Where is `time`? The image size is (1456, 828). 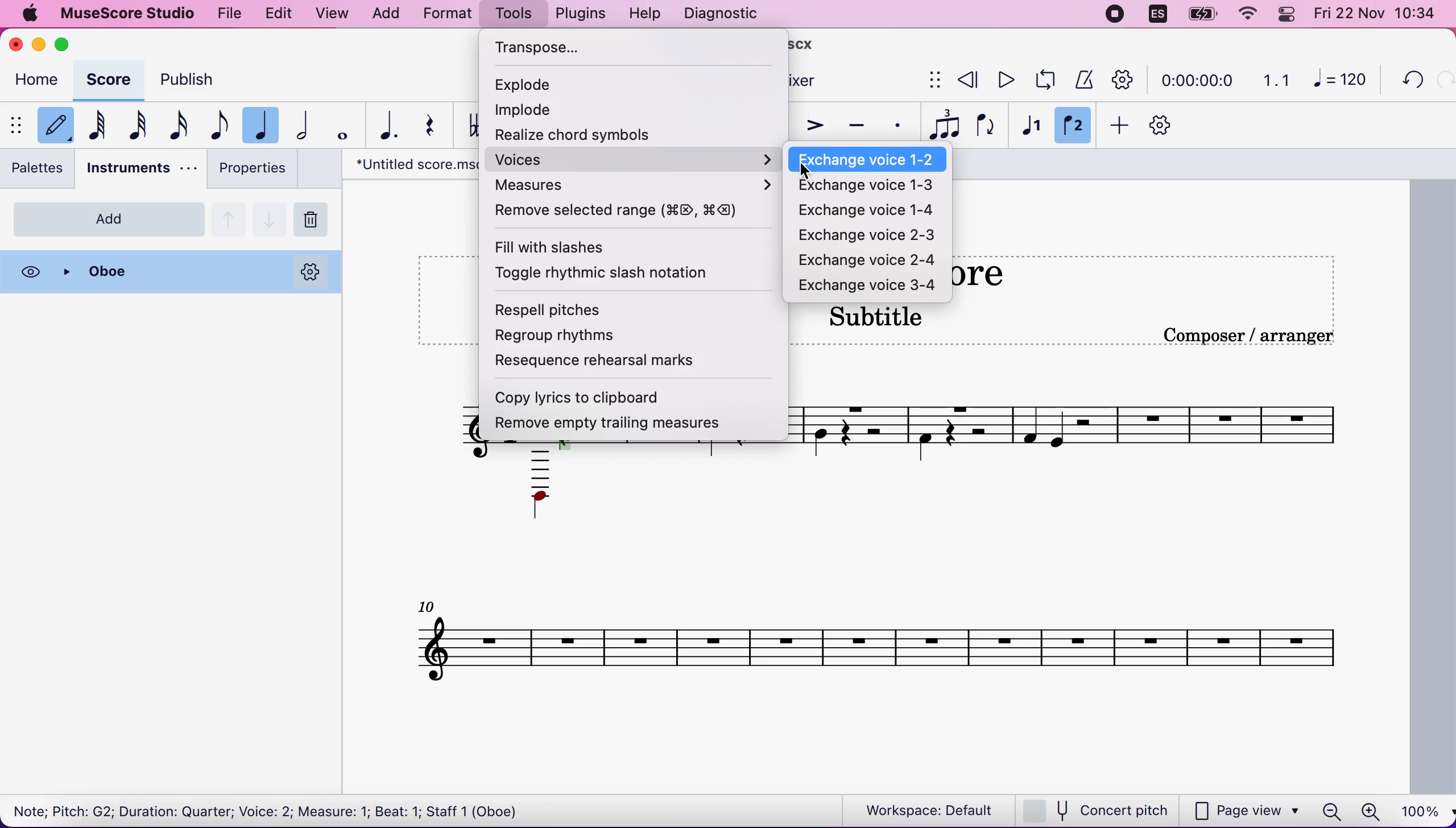 time is located at coordinates (1195, 78).